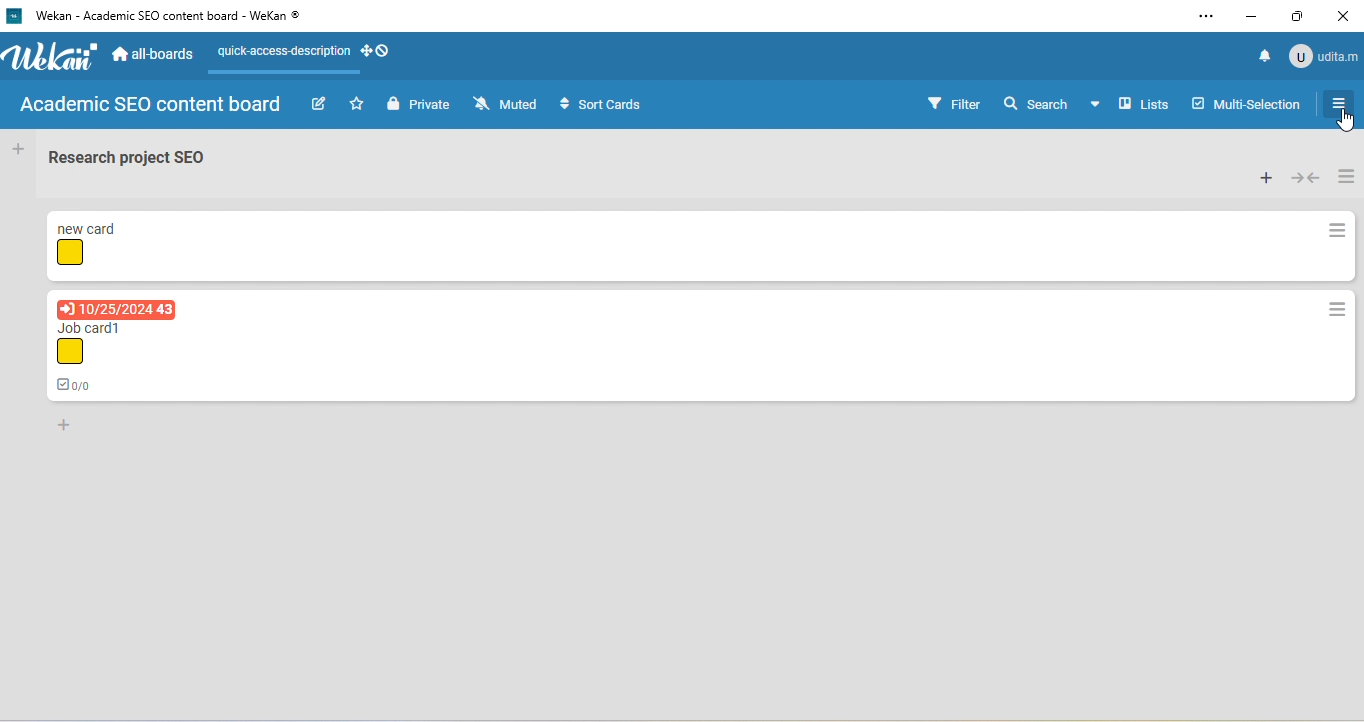 Image resolution: width=1364 pixels, height=722 pixels. What do you see at coordinates (319, 104) in the screenshot?
I see `edit` at bounding box center [319, 104].